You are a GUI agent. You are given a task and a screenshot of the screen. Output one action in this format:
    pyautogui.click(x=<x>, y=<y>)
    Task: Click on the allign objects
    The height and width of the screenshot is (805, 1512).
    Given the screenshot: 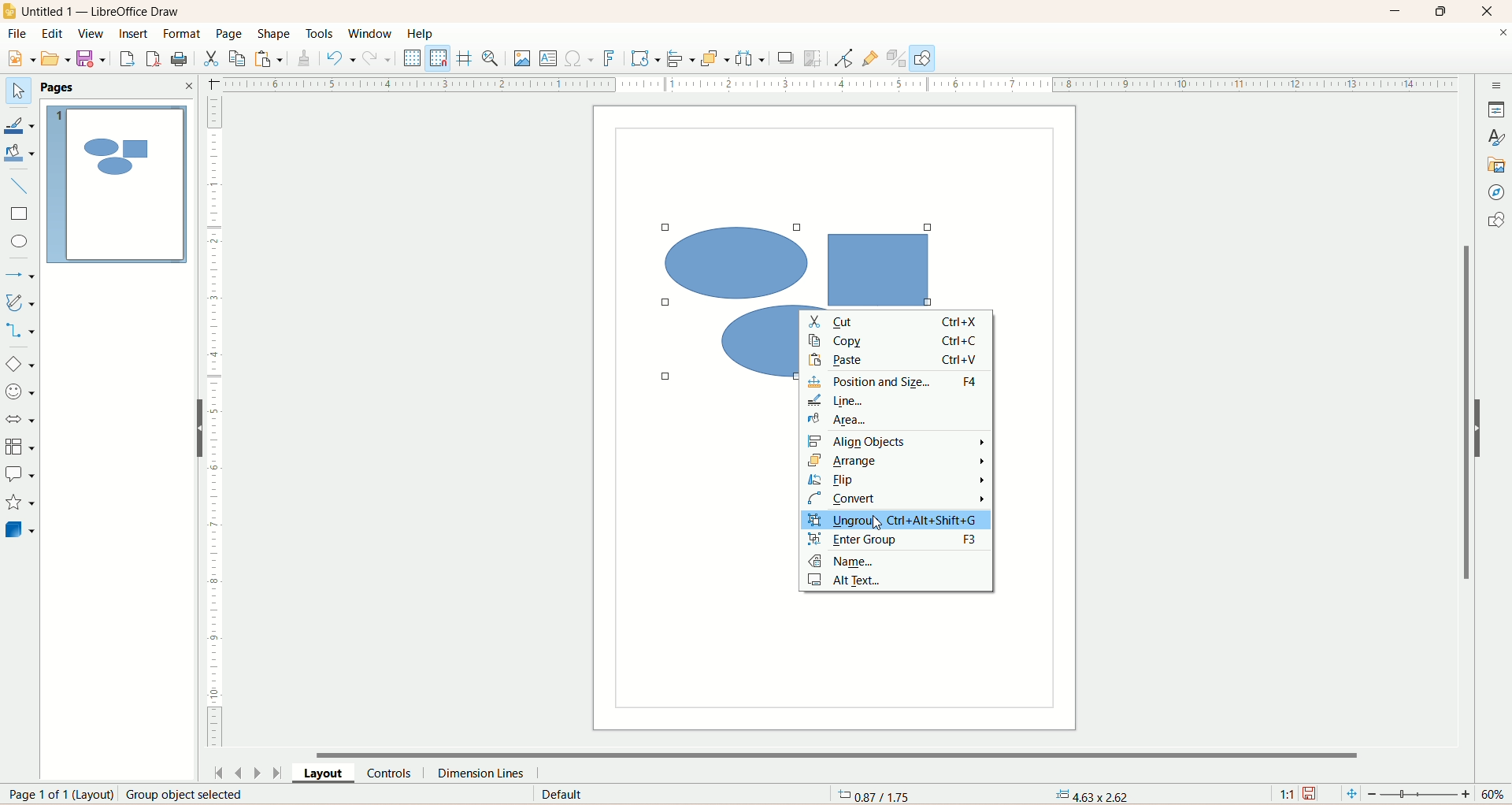 What is the action you would take?
    pyautogui.click(x=680, y=57)
    